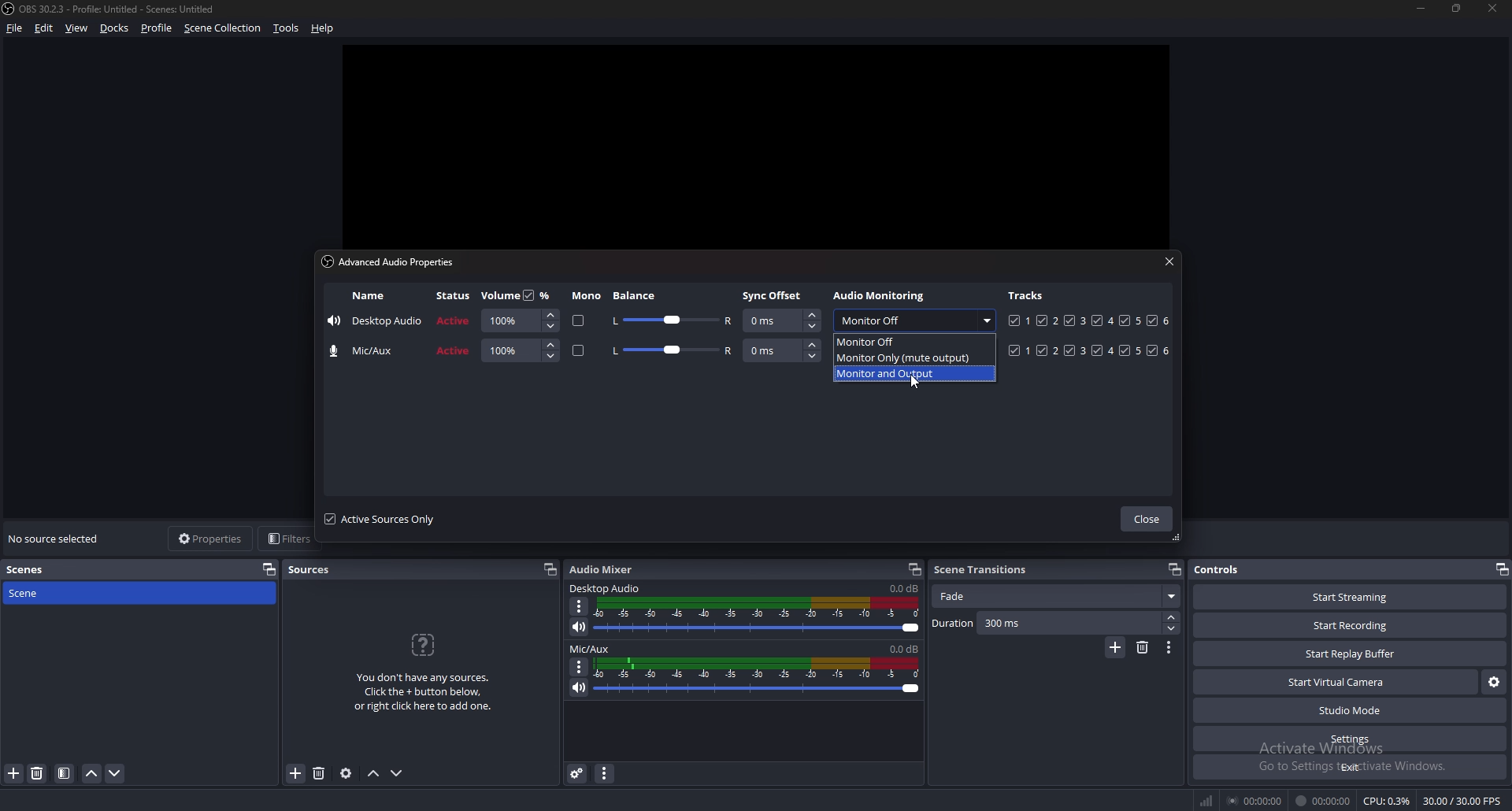 Image resolution: width=1512 pixels, height=811 pixels. Describe the element at coordinates (423, 694) in the screenshot. I see `You don't have any sources.Click the + button below,or right click here to add one.` at that location.